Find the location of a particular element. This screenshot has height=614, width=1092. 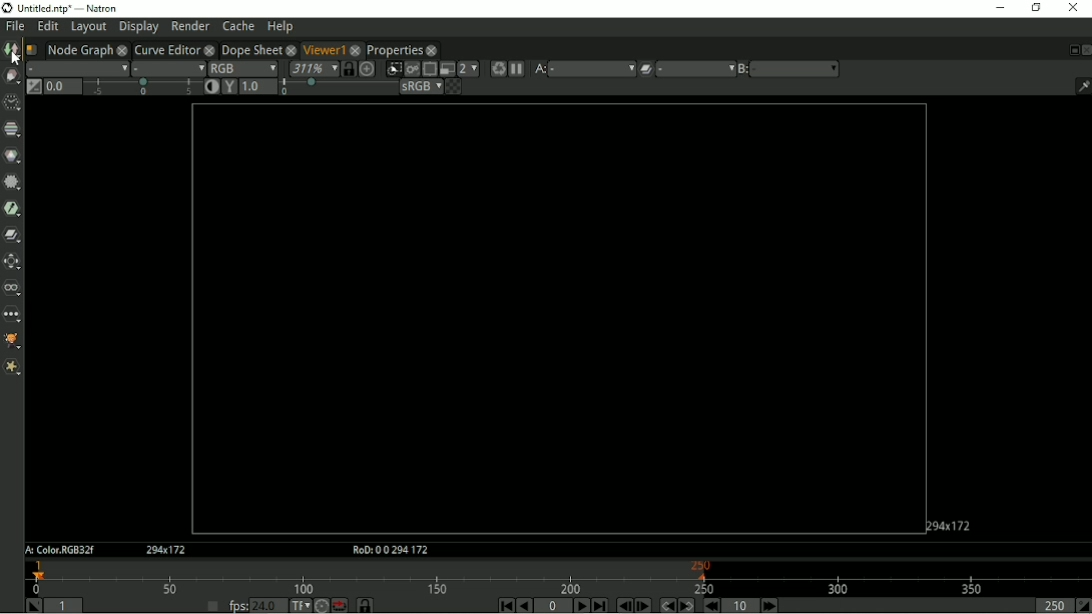

Time is located at coordinates (10, 102).